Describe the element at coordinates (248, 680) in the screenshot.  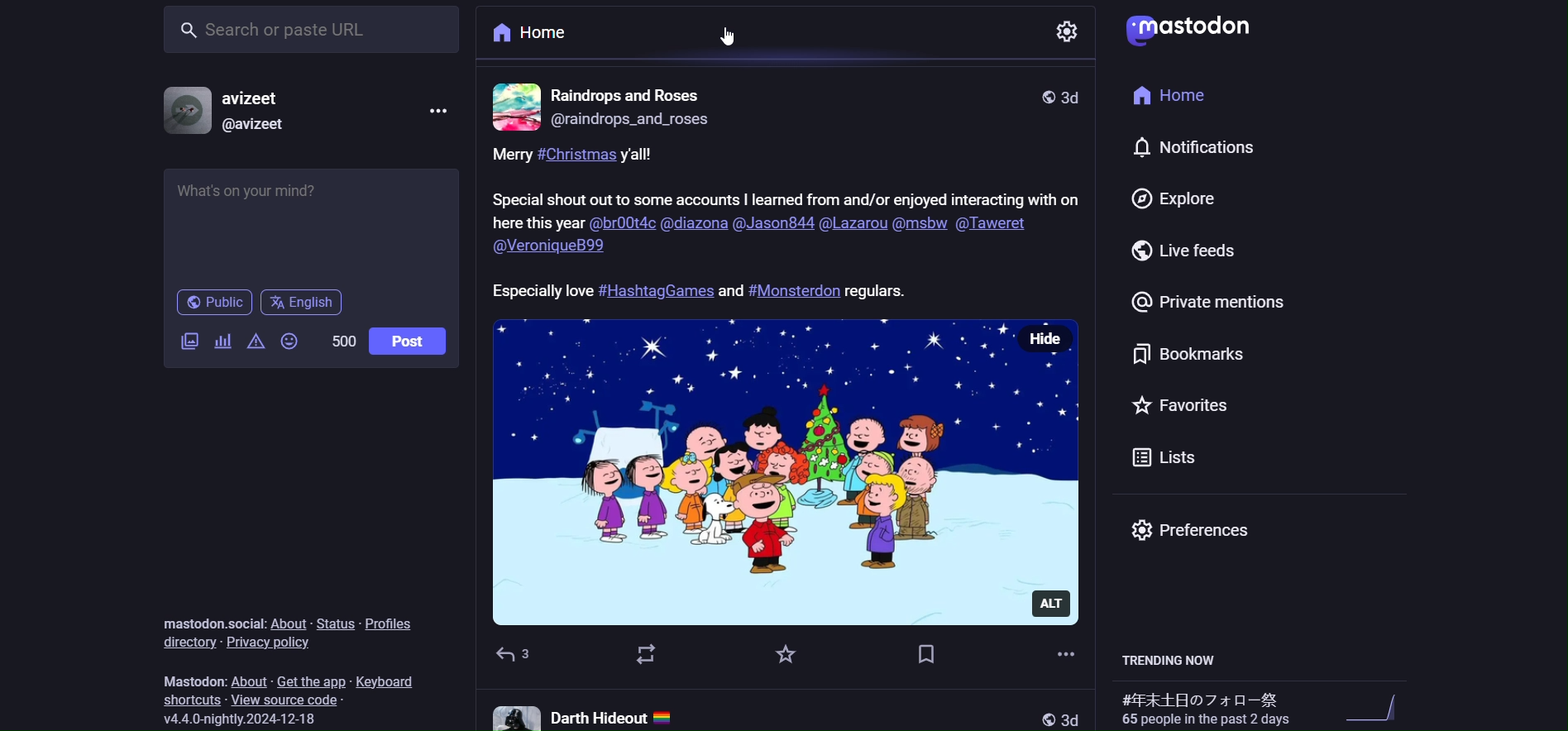
I see `about` at that location.